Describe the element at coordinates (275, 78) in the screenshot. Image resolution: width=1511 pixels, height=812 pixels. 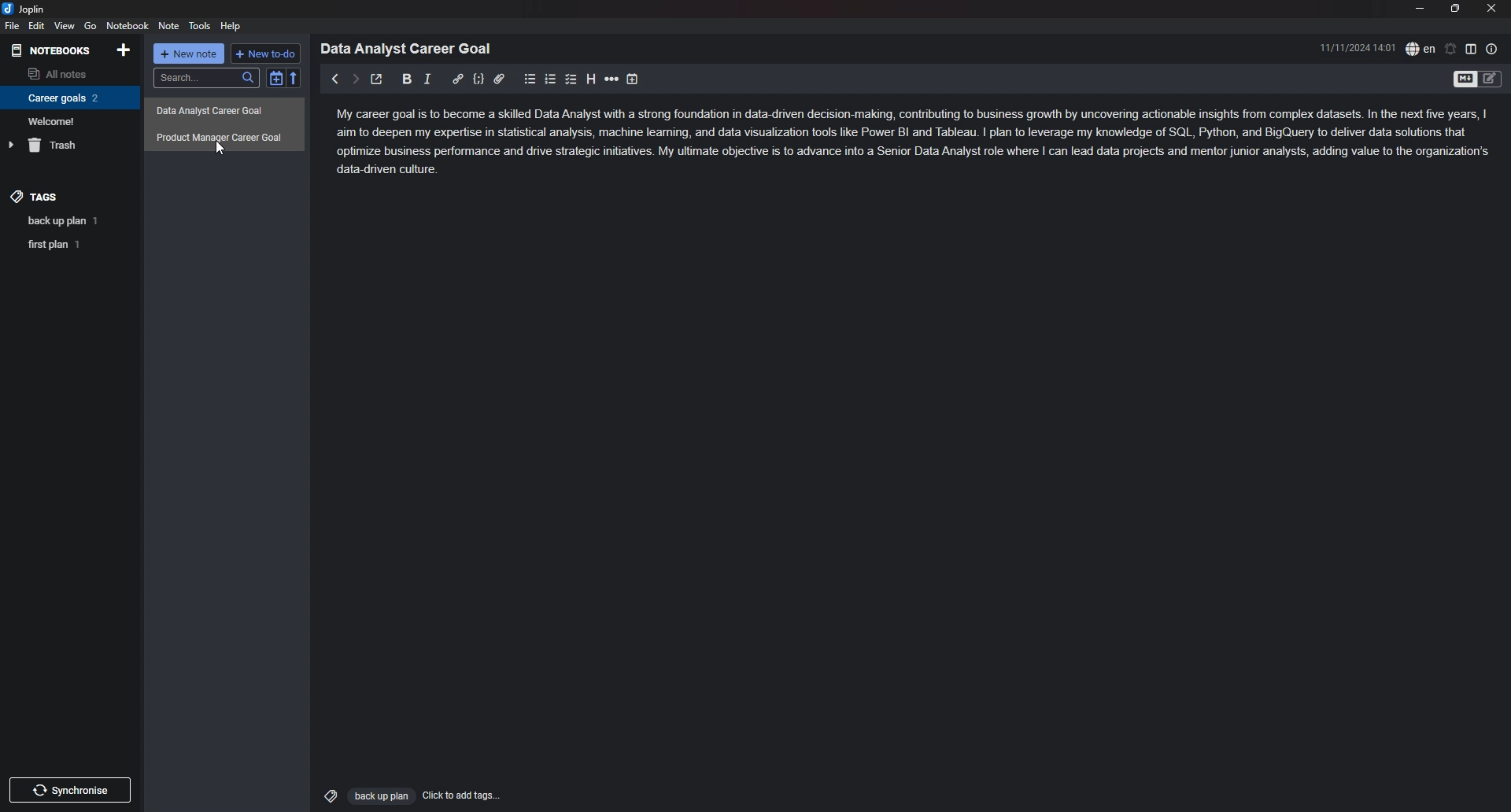
I see `toggle sort order` at that location.